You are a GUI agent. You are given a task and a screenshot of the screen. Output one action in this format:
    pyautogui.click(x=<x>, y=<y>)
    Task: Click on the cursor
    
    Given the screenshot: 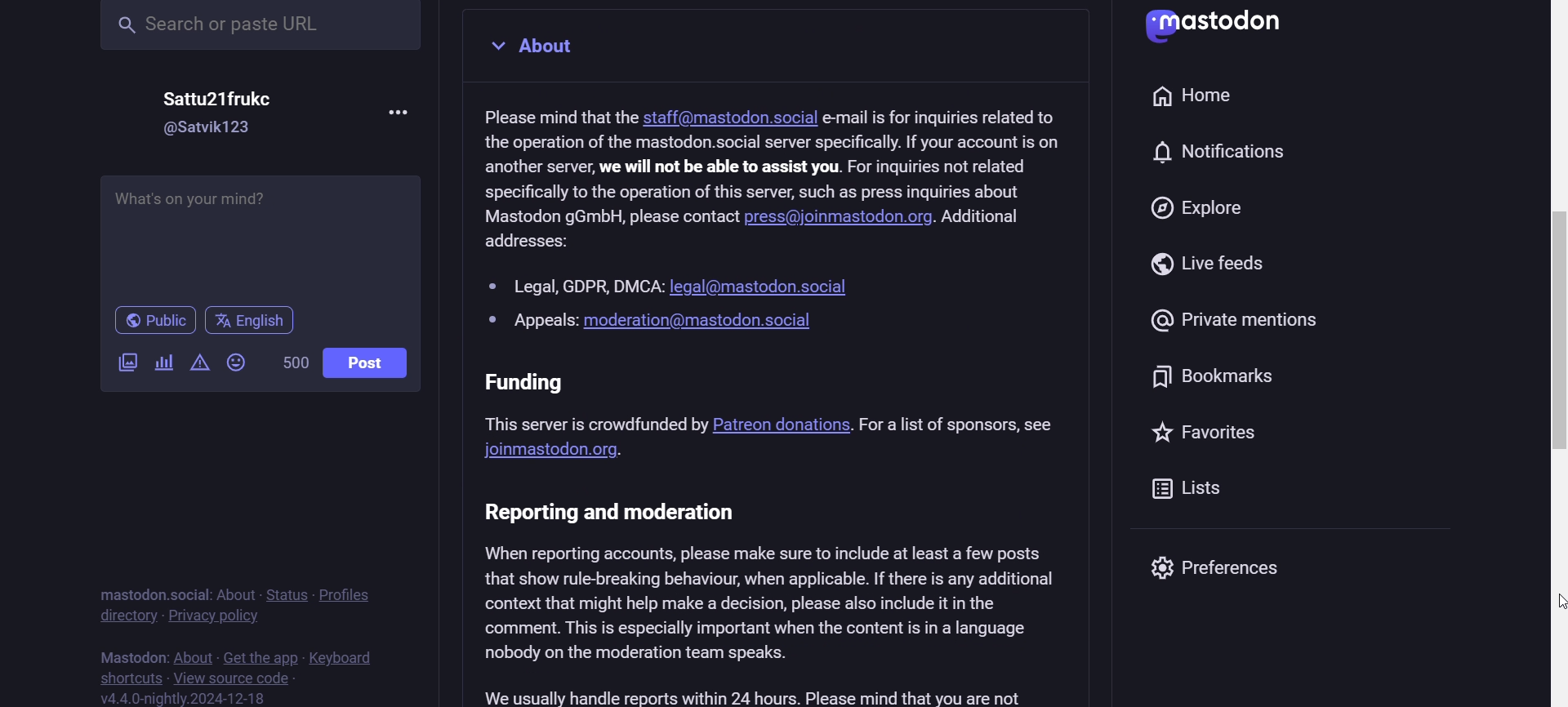 What is the action you would take?
    pyautogui.click(x=1557, y=604)
    